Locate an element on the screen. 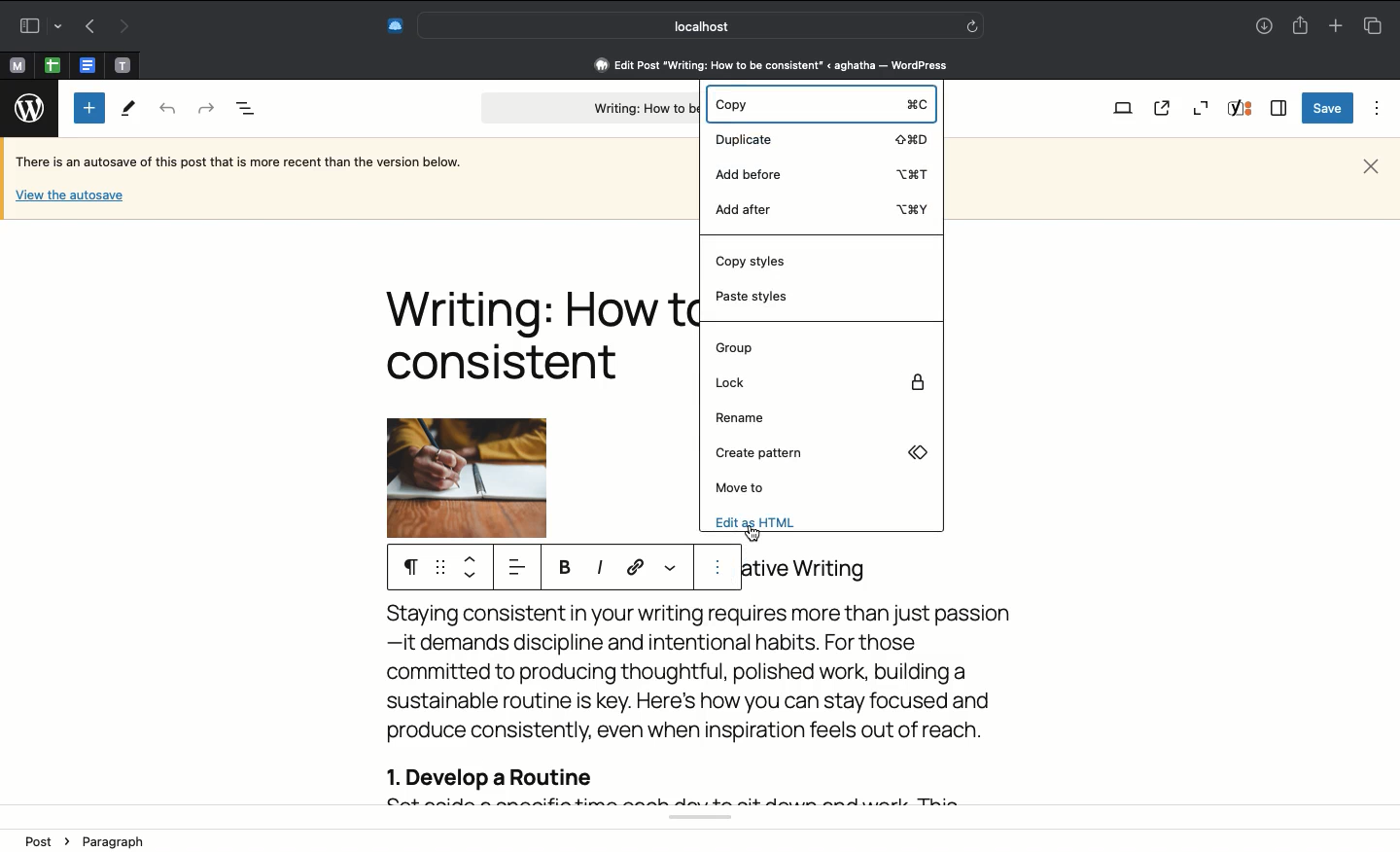 This screenshot has height=852, width=1400. title is located at coordinates (814, 571).